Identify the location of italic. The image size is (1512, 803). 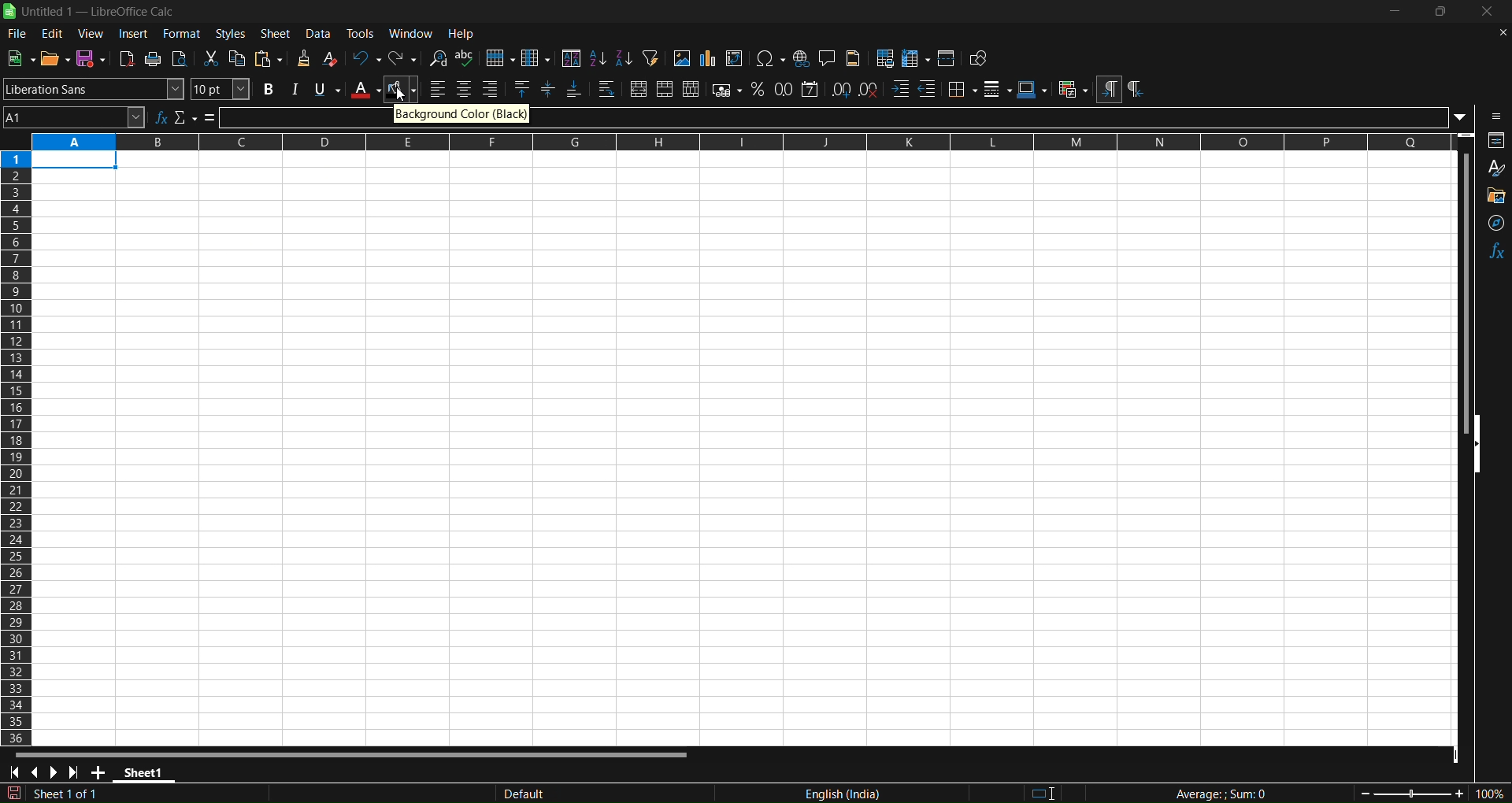
(295, 87).